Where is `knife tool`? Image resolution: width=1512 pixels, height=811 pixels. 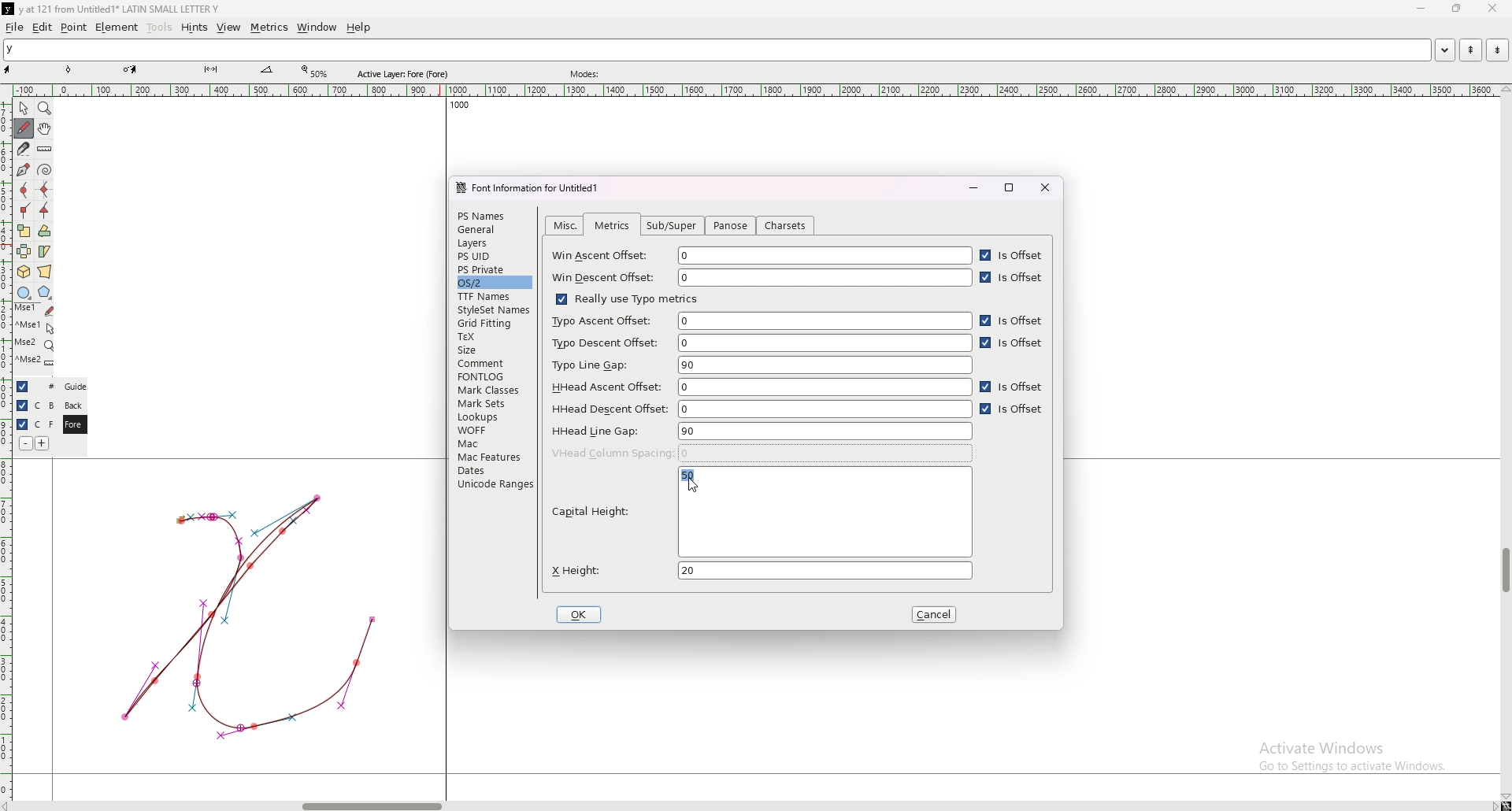 knife tool is located at coordinates (209, 70).